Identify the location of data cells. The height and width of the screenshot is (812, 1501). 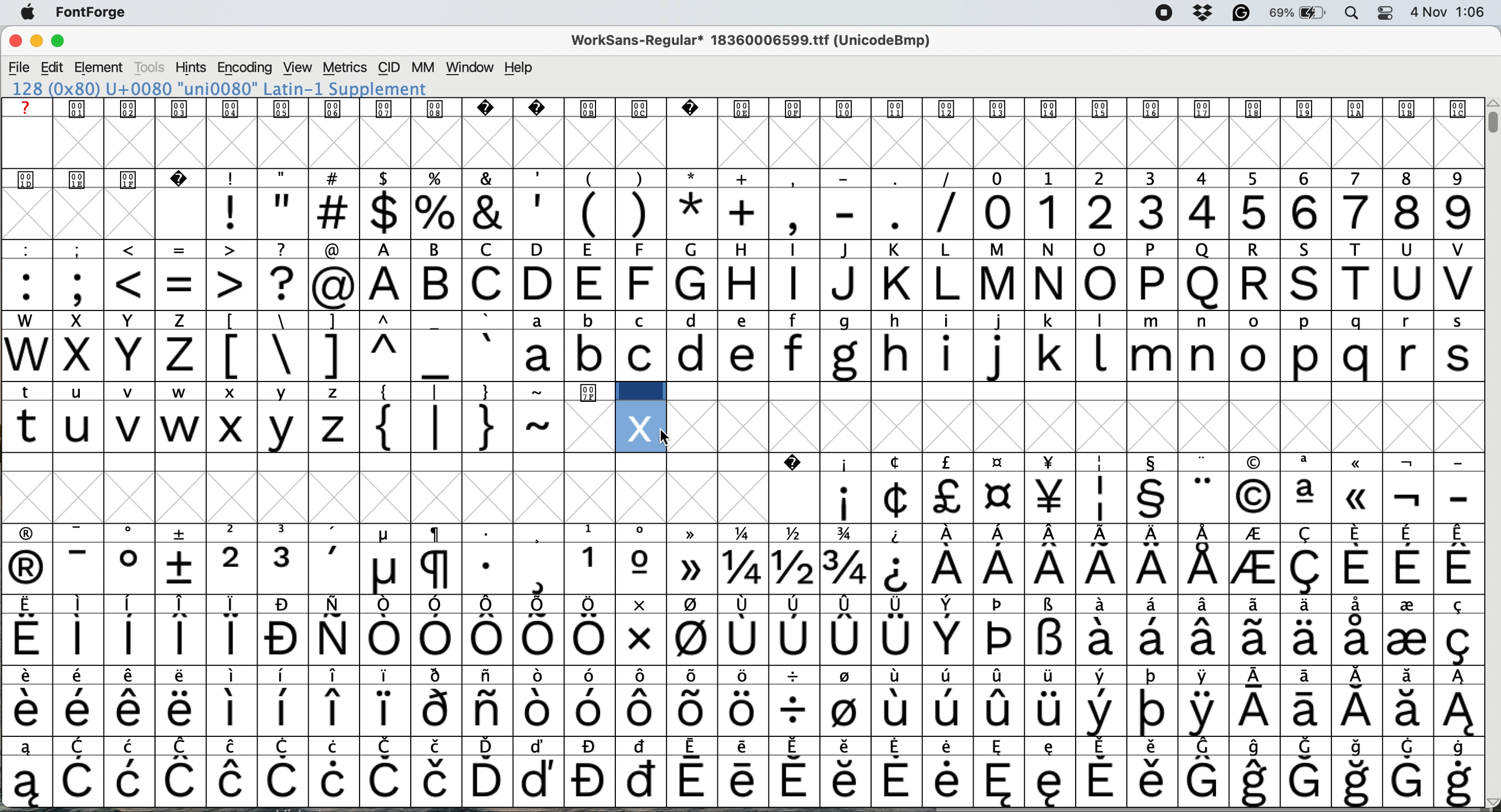
(1045, 391).